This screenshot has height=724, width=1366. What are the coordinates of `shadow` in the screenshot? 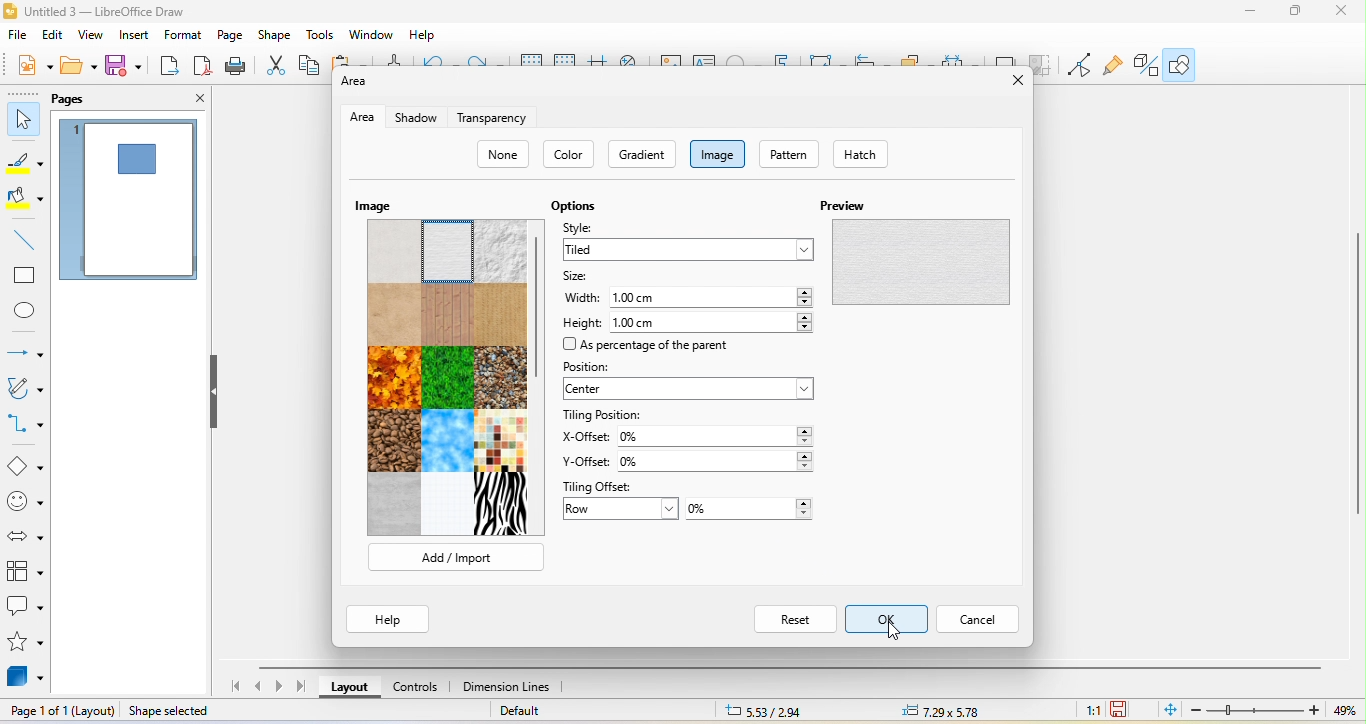 It's located at (419, 119).